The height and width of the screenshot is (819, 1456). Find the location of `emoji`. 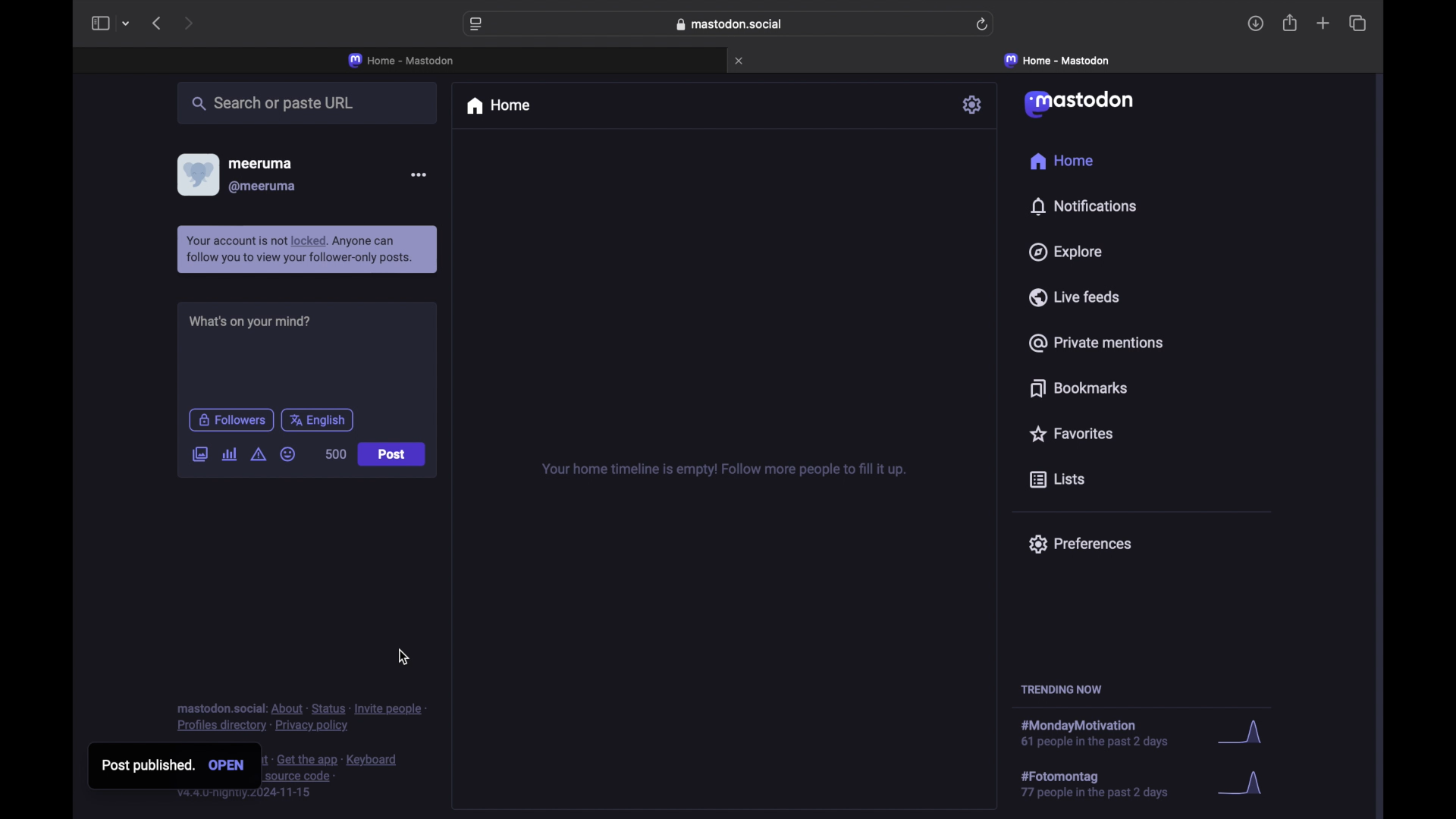

emoji is located at coordinates (288, 455).